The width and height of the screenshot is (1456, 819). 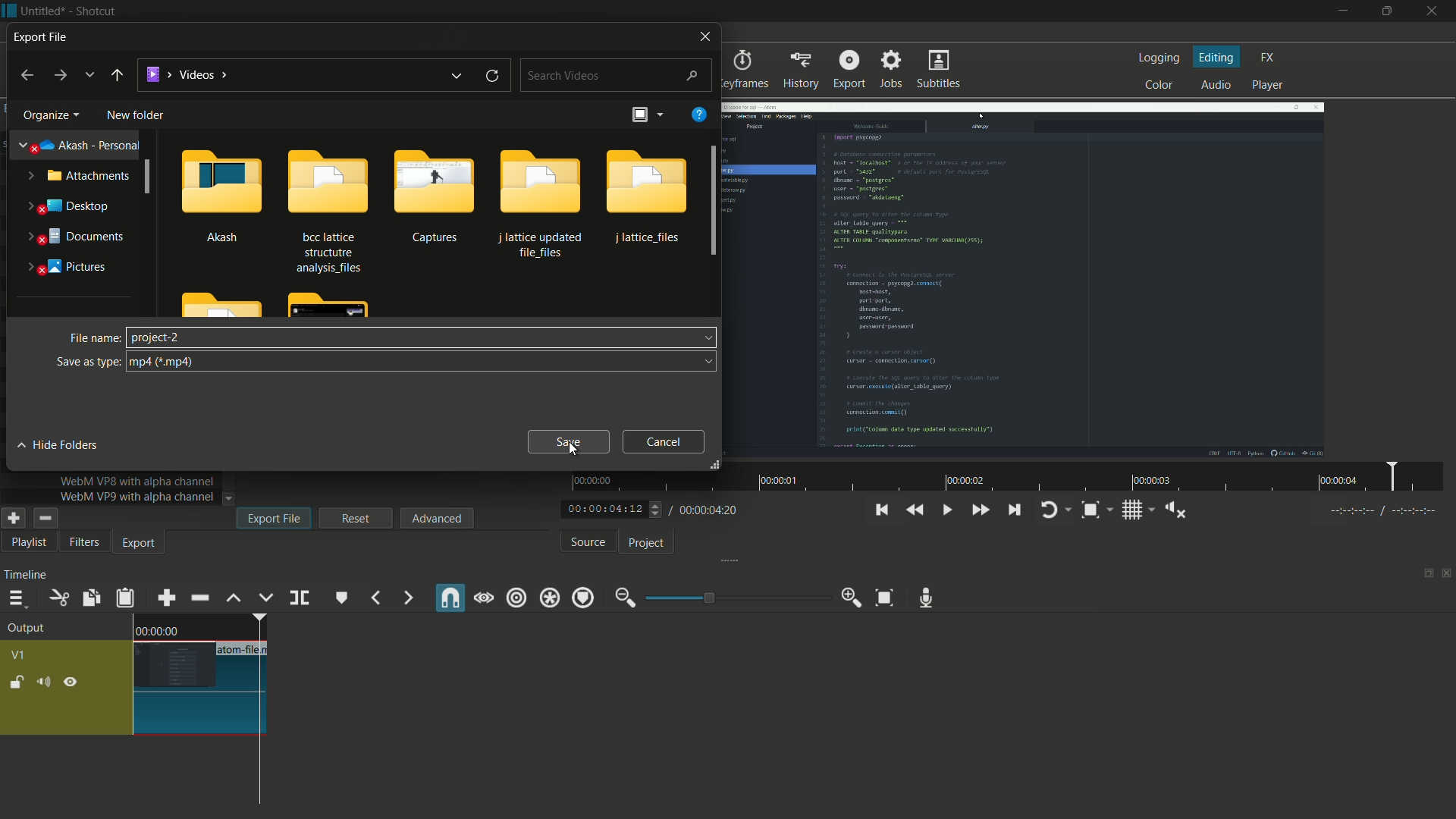 I want to click on snap, so click(x=451, y=598).